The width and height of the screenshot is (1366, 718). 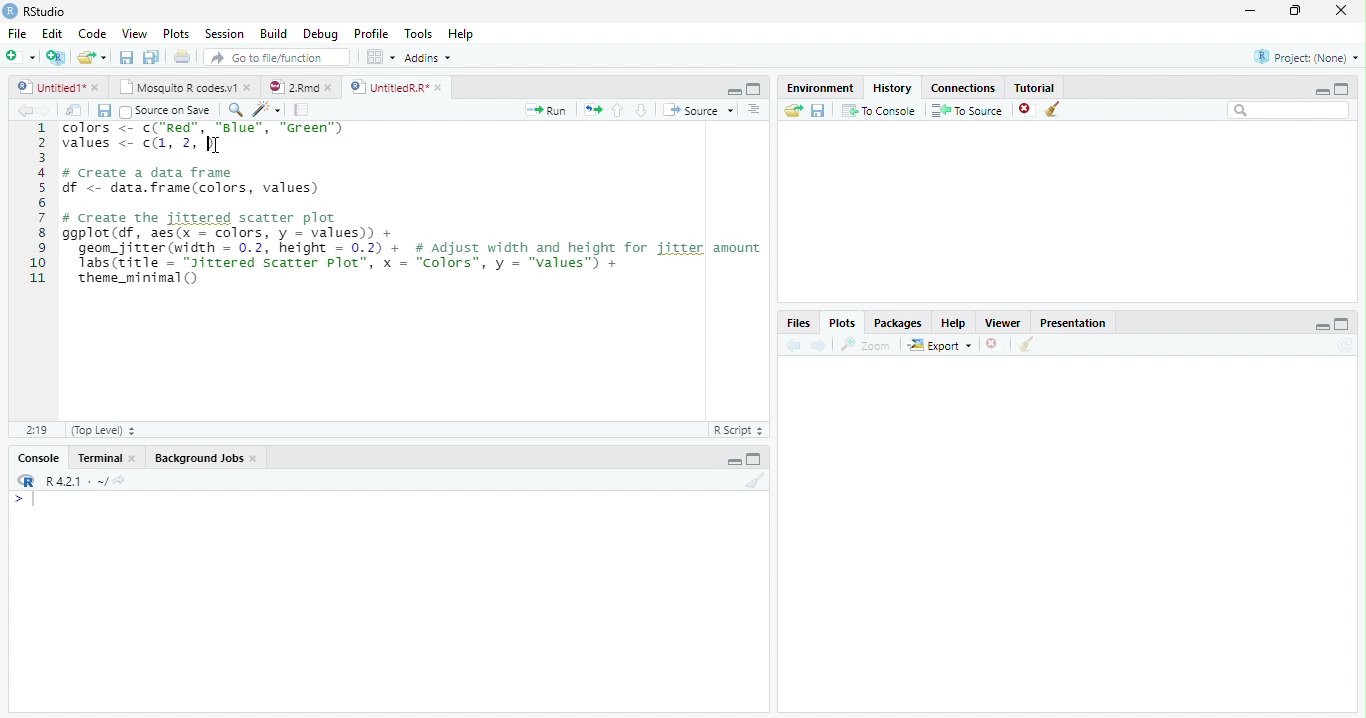 I want to click on Mosquito R codes.v1, so click(x=175, y=87).